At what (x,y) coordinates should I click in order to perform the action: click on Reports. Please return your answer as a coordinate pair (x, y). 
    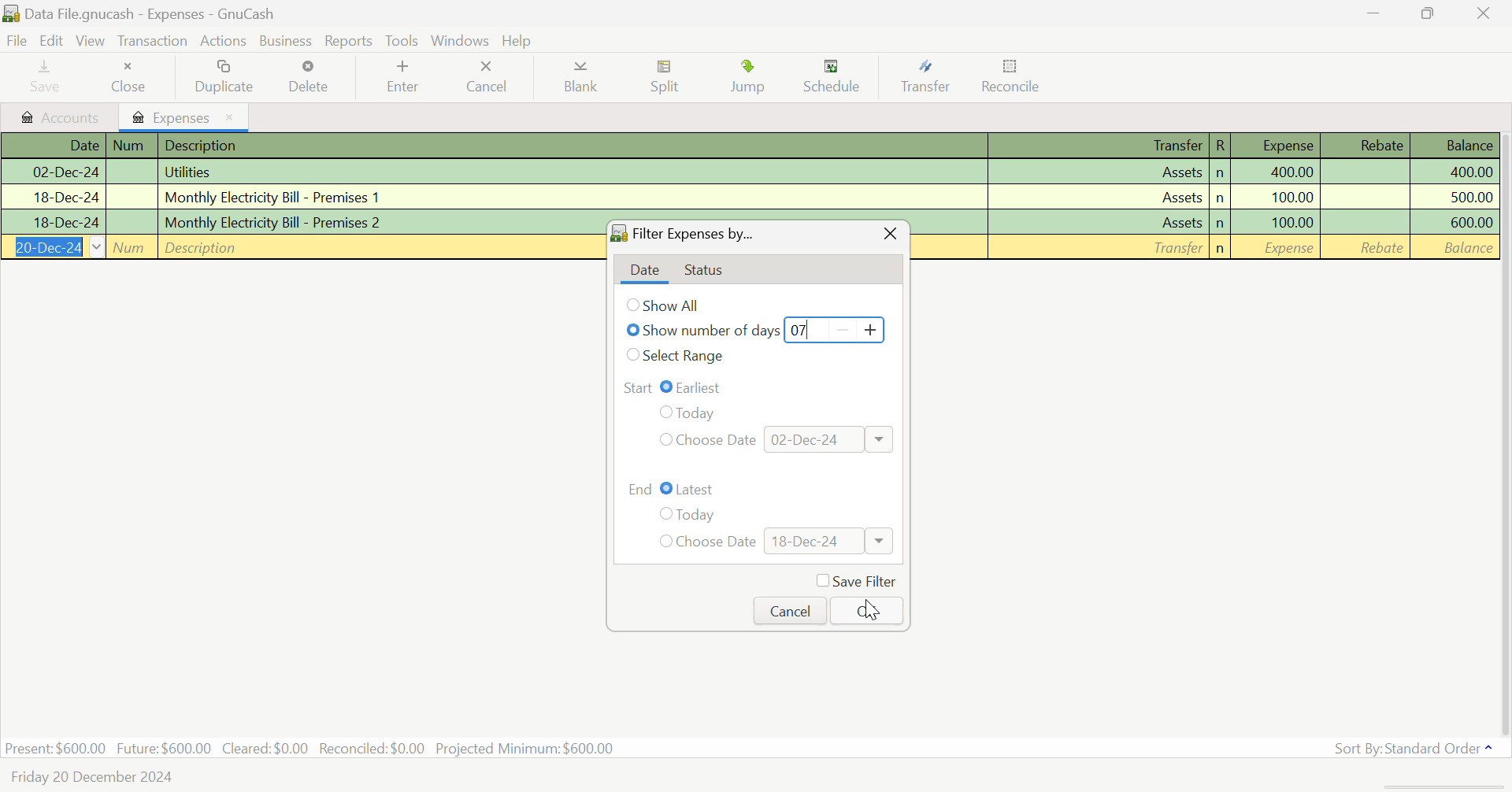
    Looking at the image, I should click on (348, 39).